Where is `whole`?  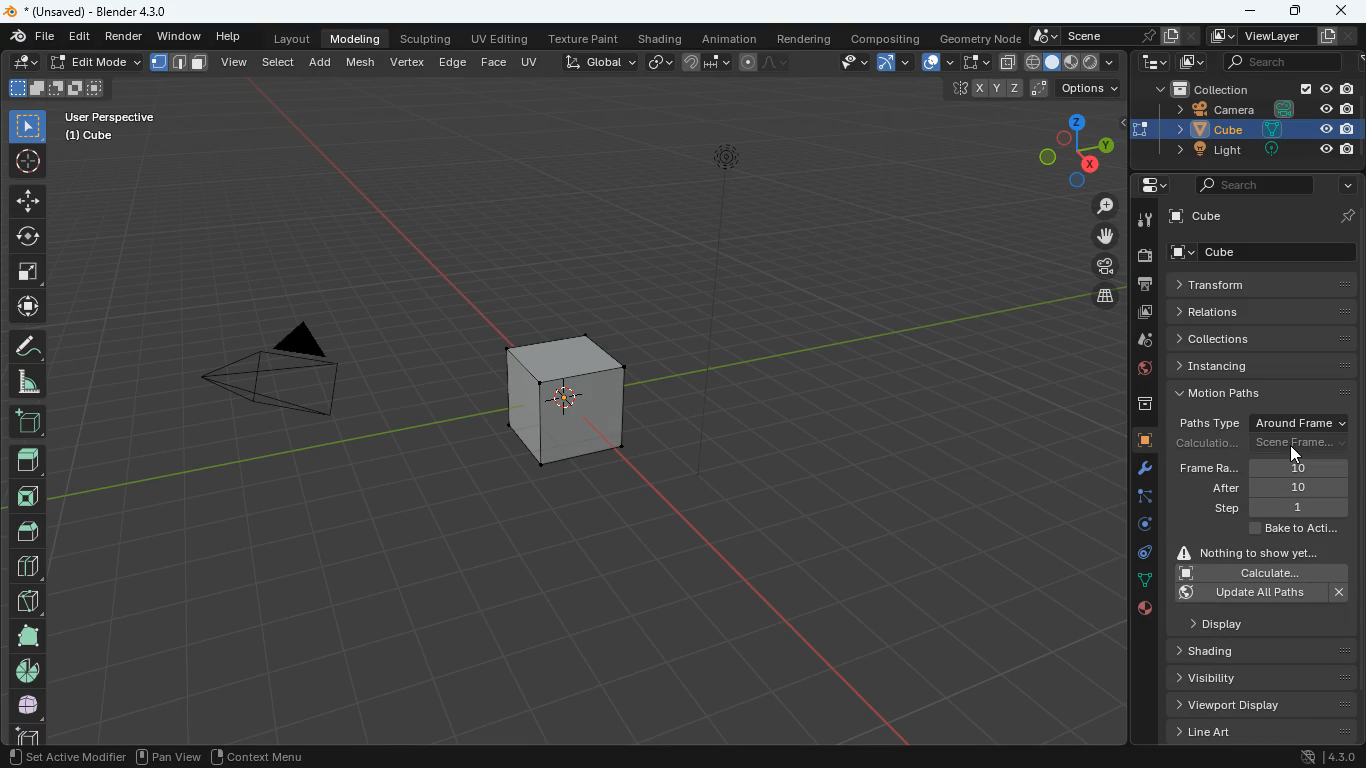
whole is located at coordinates (26, 635).